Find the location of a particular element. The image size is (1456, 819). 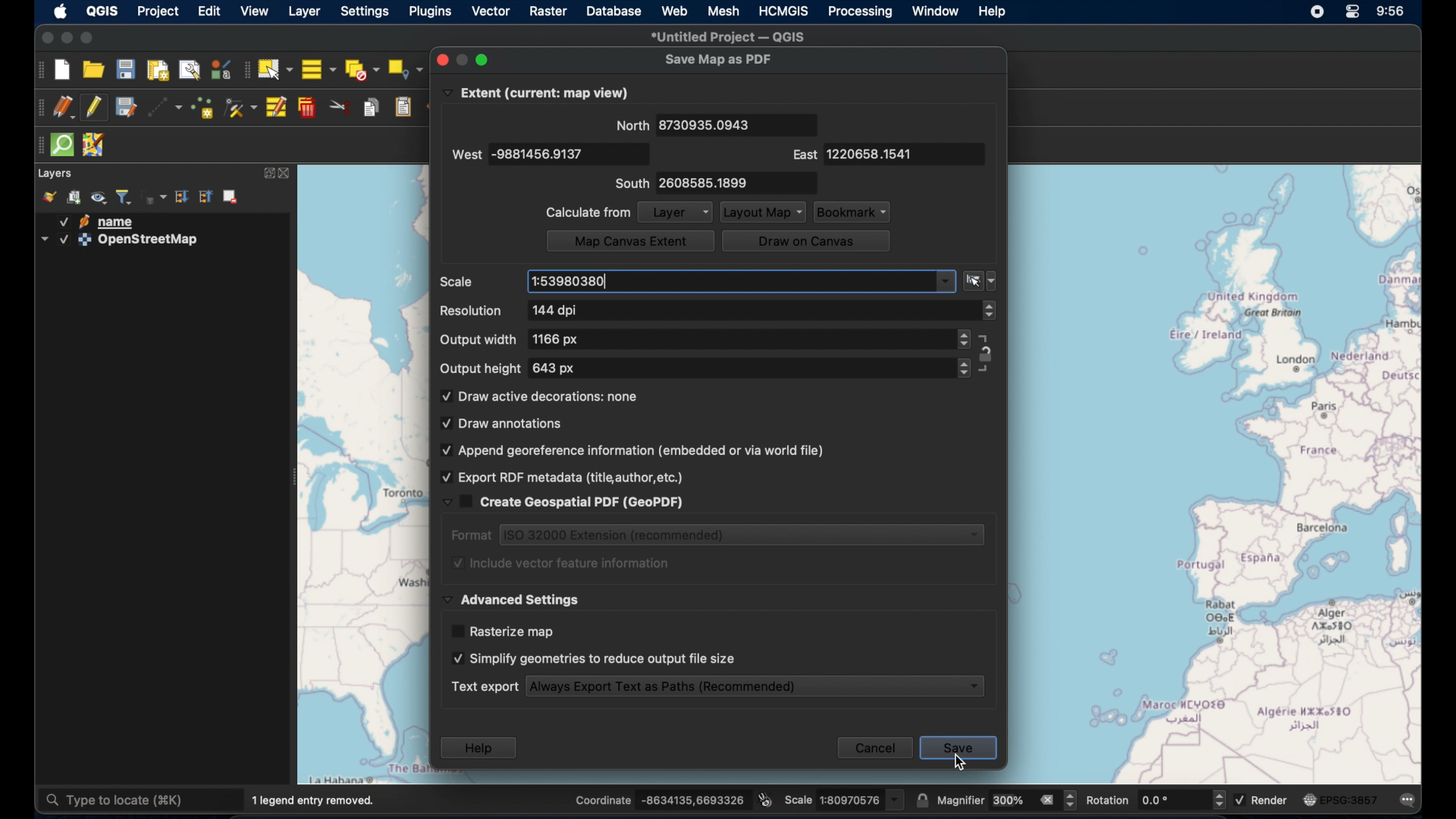

magnifier is located at coordinates (1008, 799).